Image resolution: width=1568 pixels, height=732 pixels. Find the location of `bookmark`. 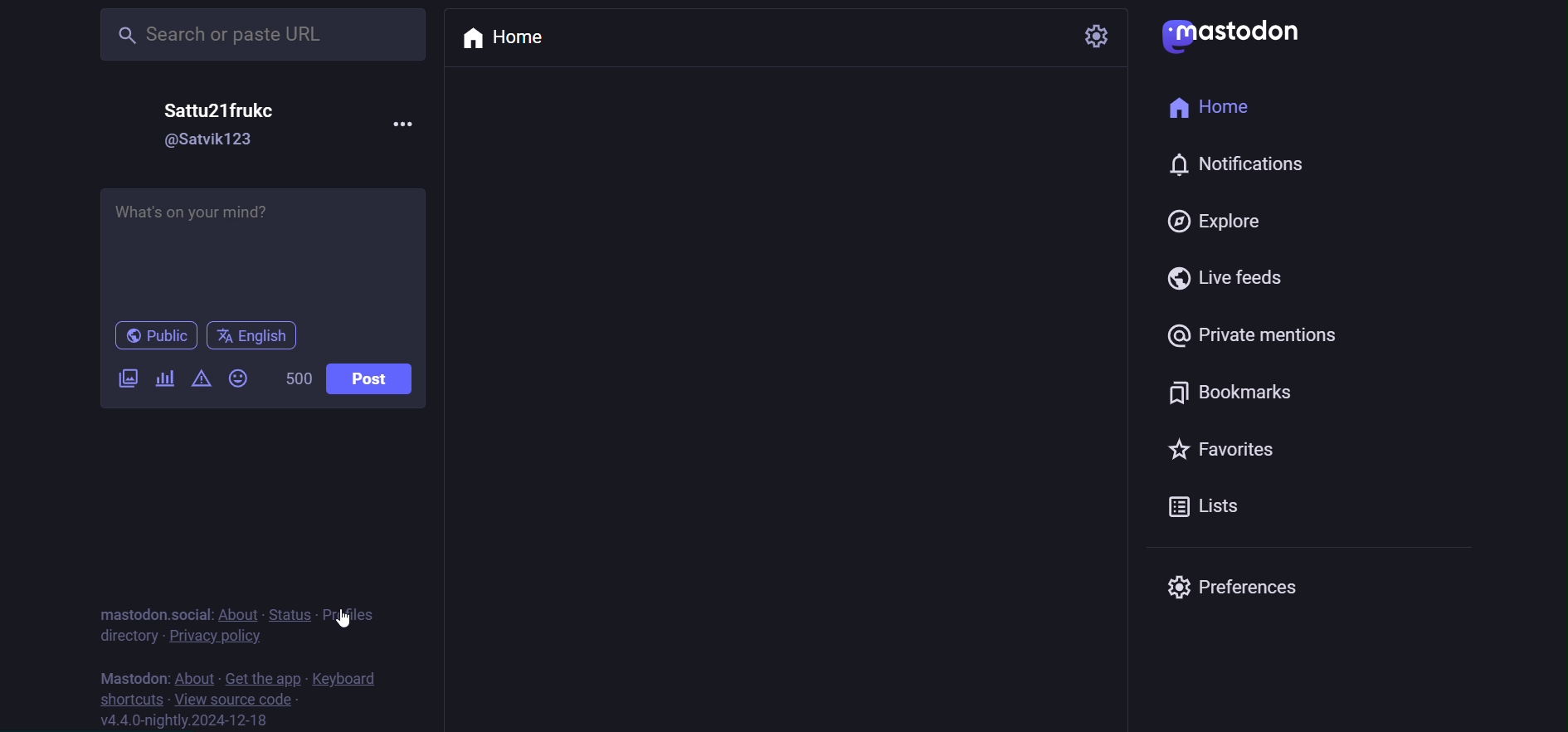

bookmark is located at coordinates (1240, 389).